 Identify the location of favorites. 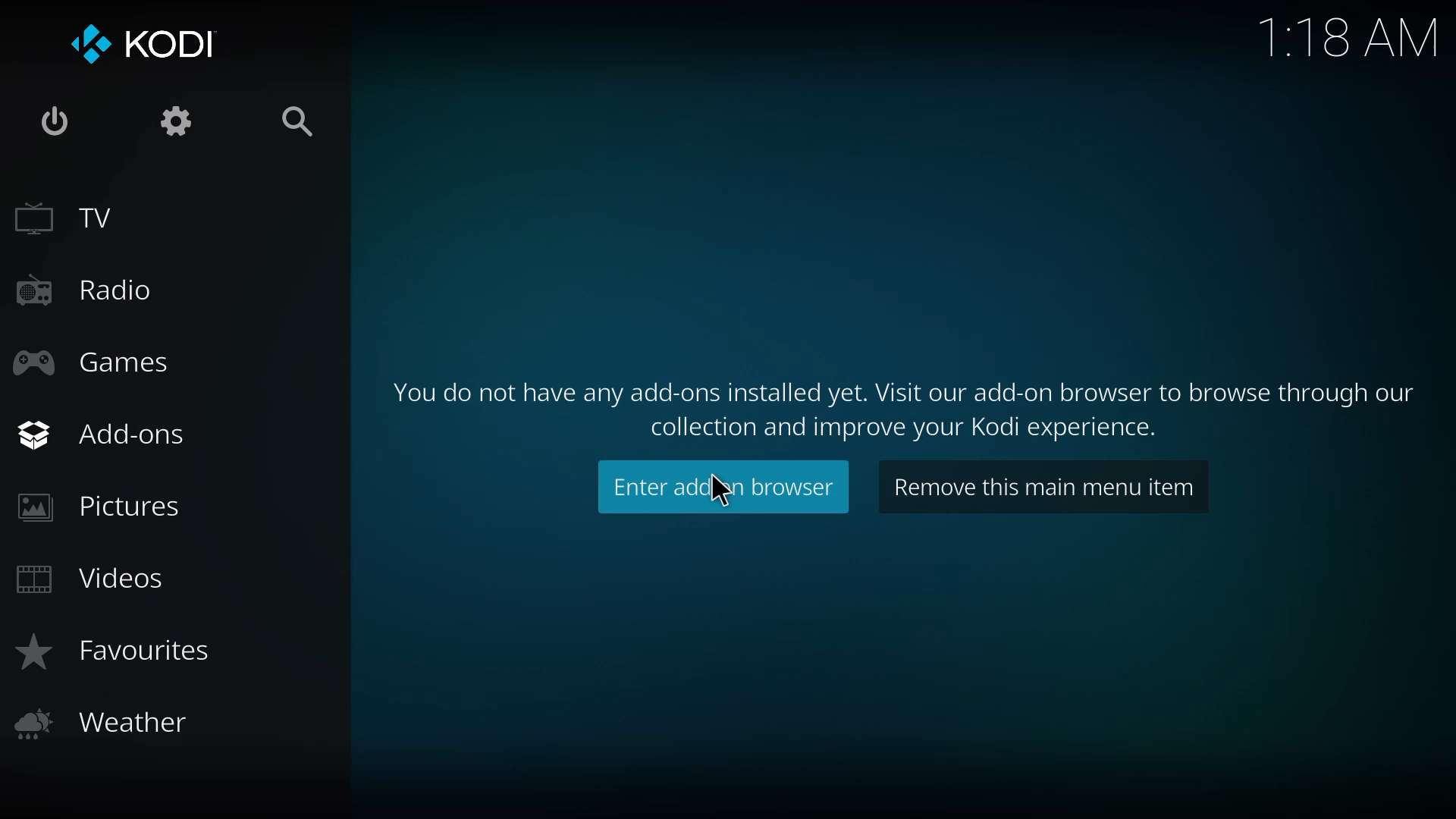
(117, 650).